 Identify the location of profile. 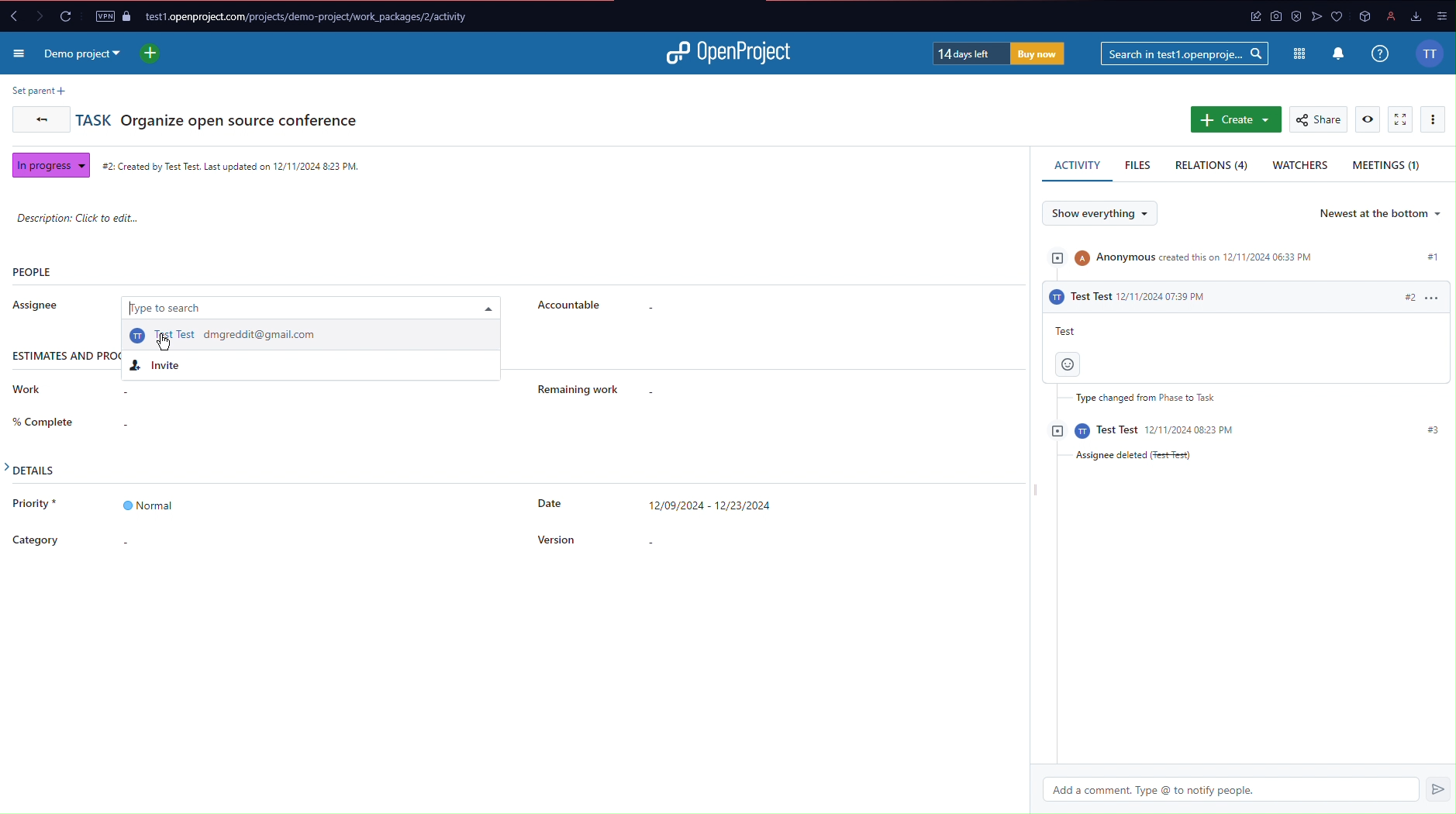
(1391, 16).